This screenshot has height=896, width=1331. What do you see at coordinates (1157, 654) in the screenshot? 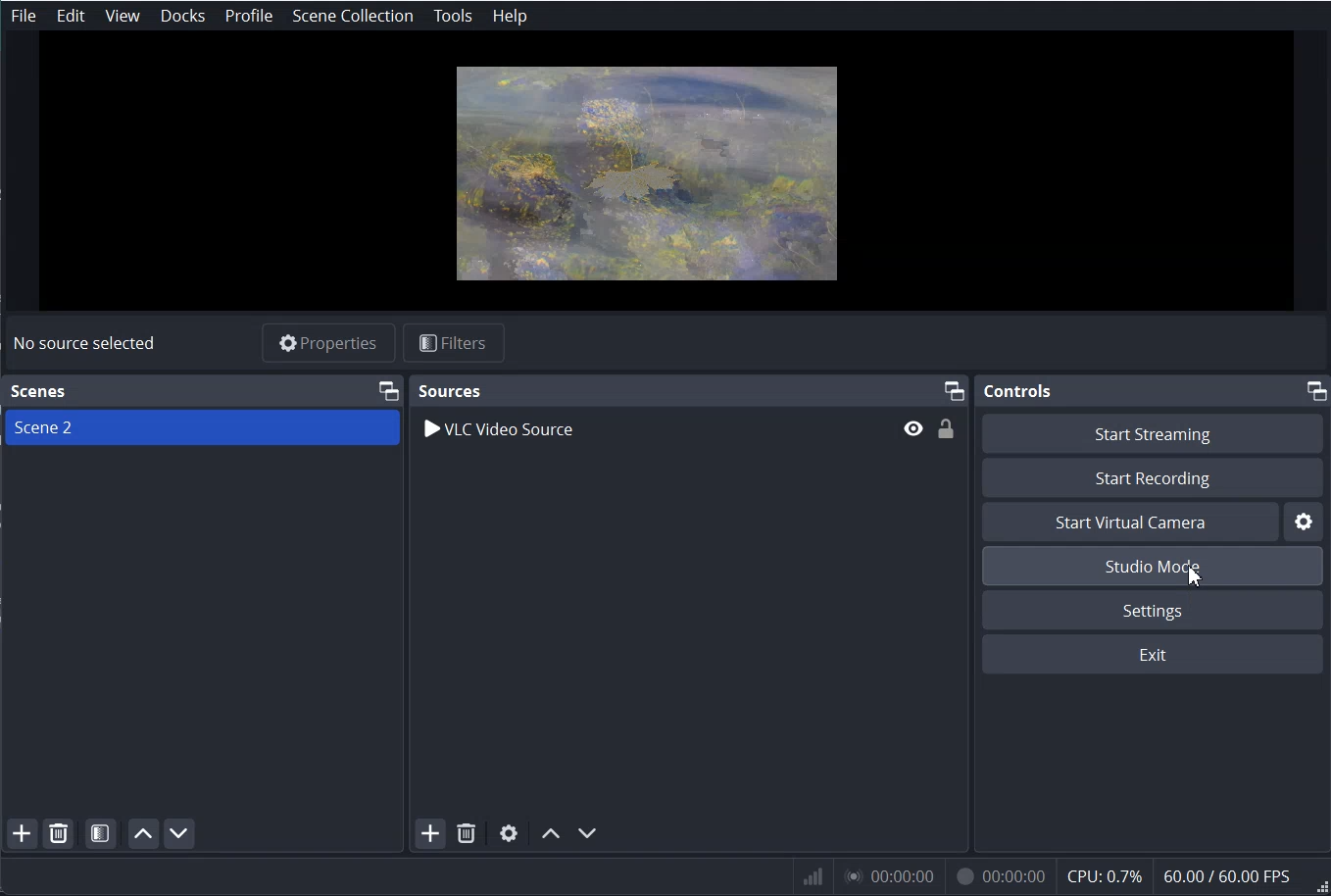
I see `Exit` at bounding box center [1157, 654].